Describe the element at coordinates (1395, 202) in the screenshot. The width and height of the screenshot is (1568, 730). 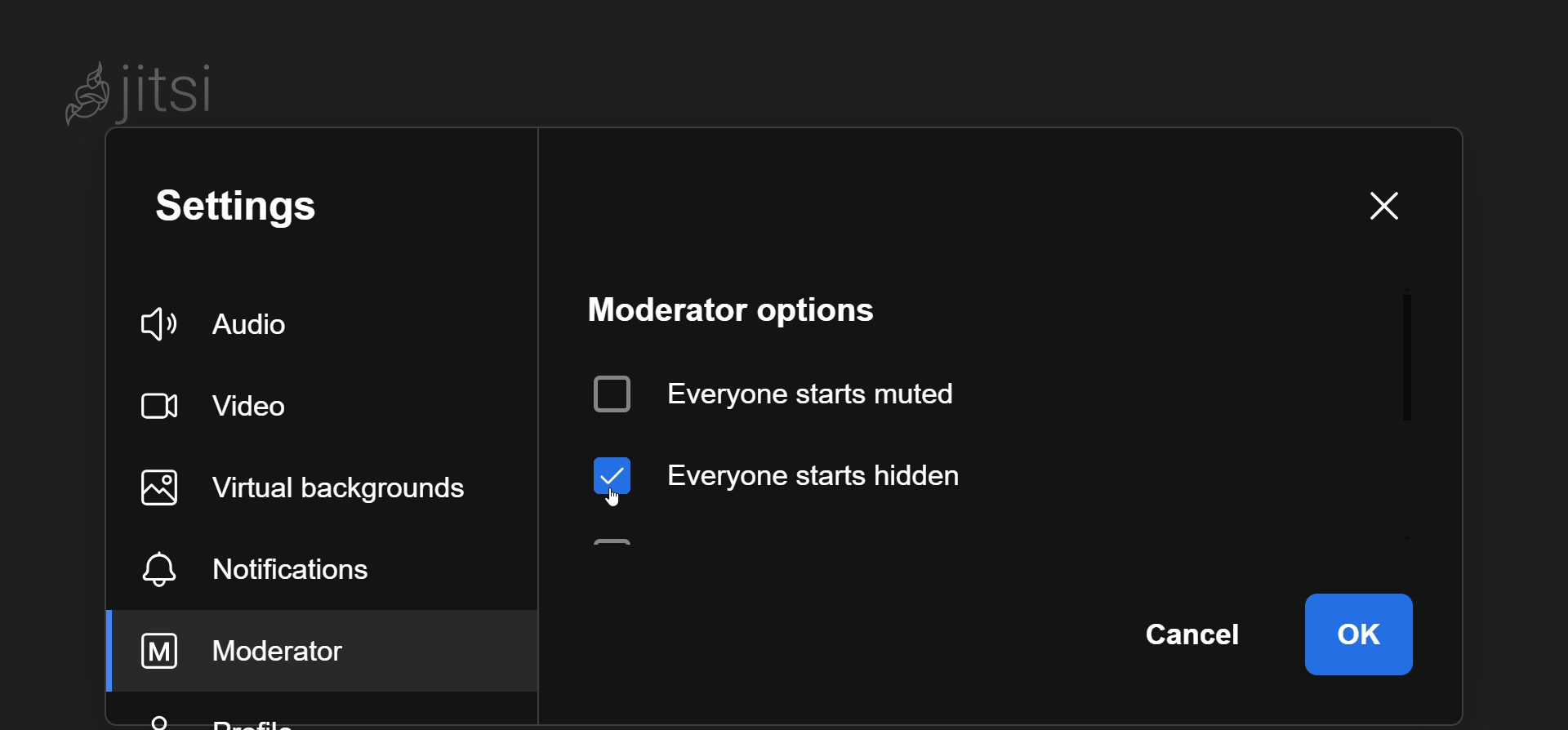
I see `close window` at that location.